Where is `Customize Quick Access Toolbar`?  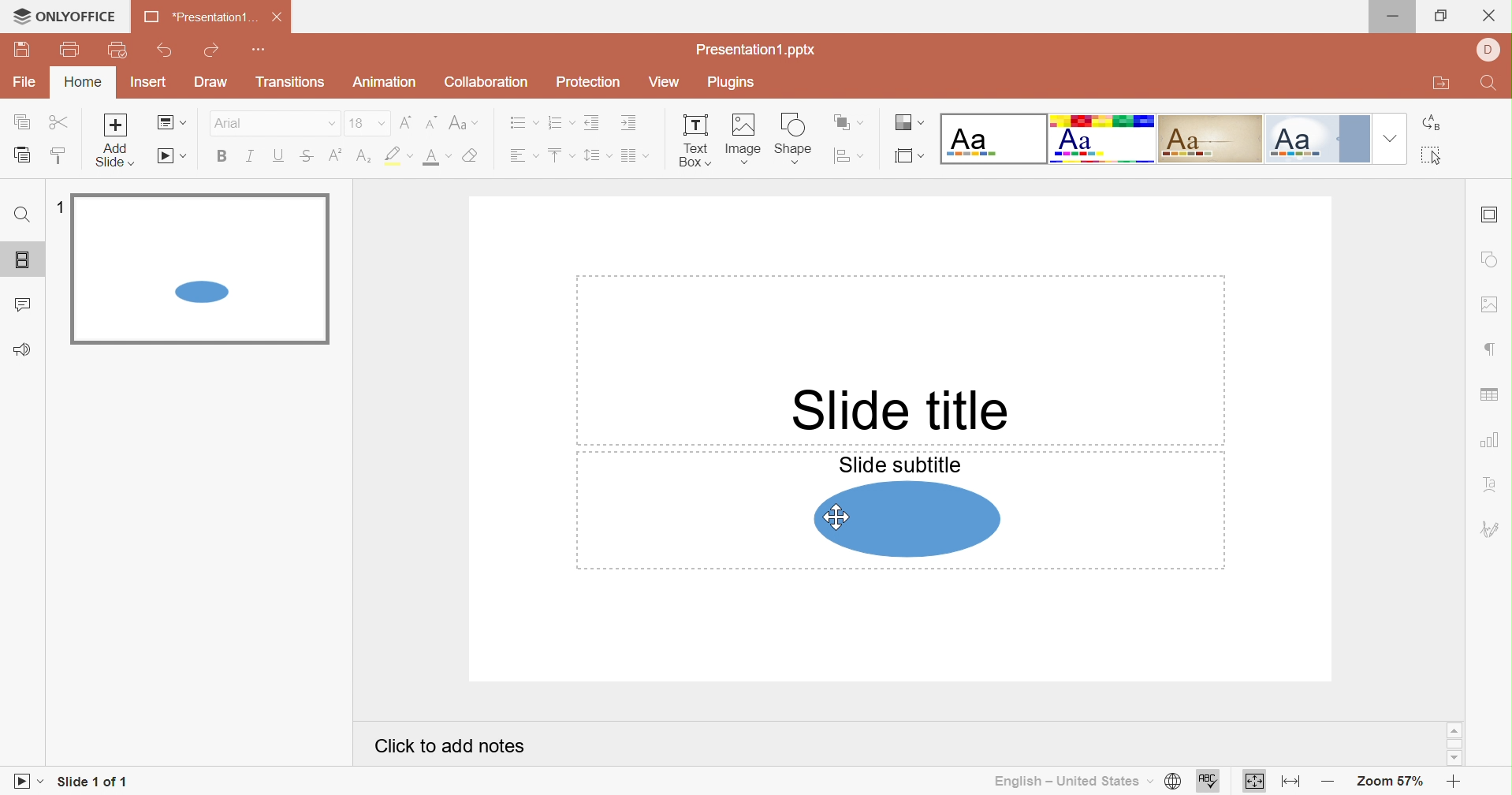
Customize Quick Access Toolbar is located at coordinates (261, 52).